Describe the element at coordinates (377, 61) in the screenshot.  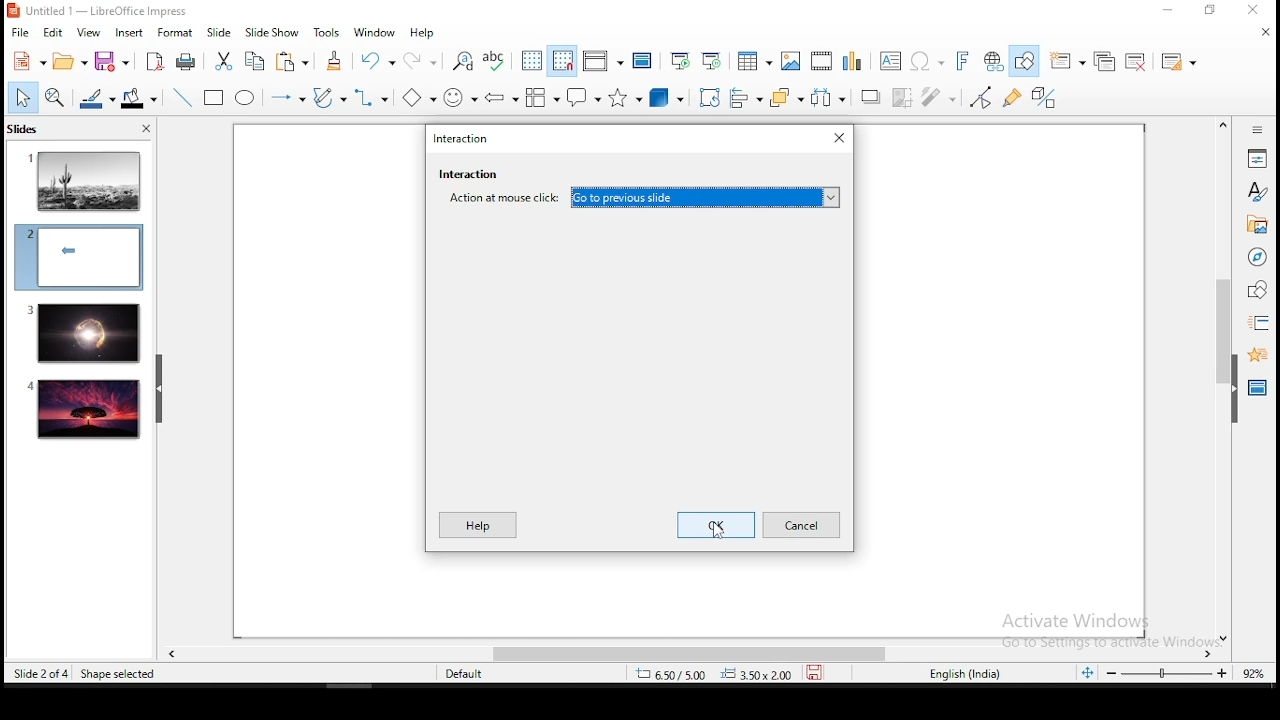
I see `undo` at that location.